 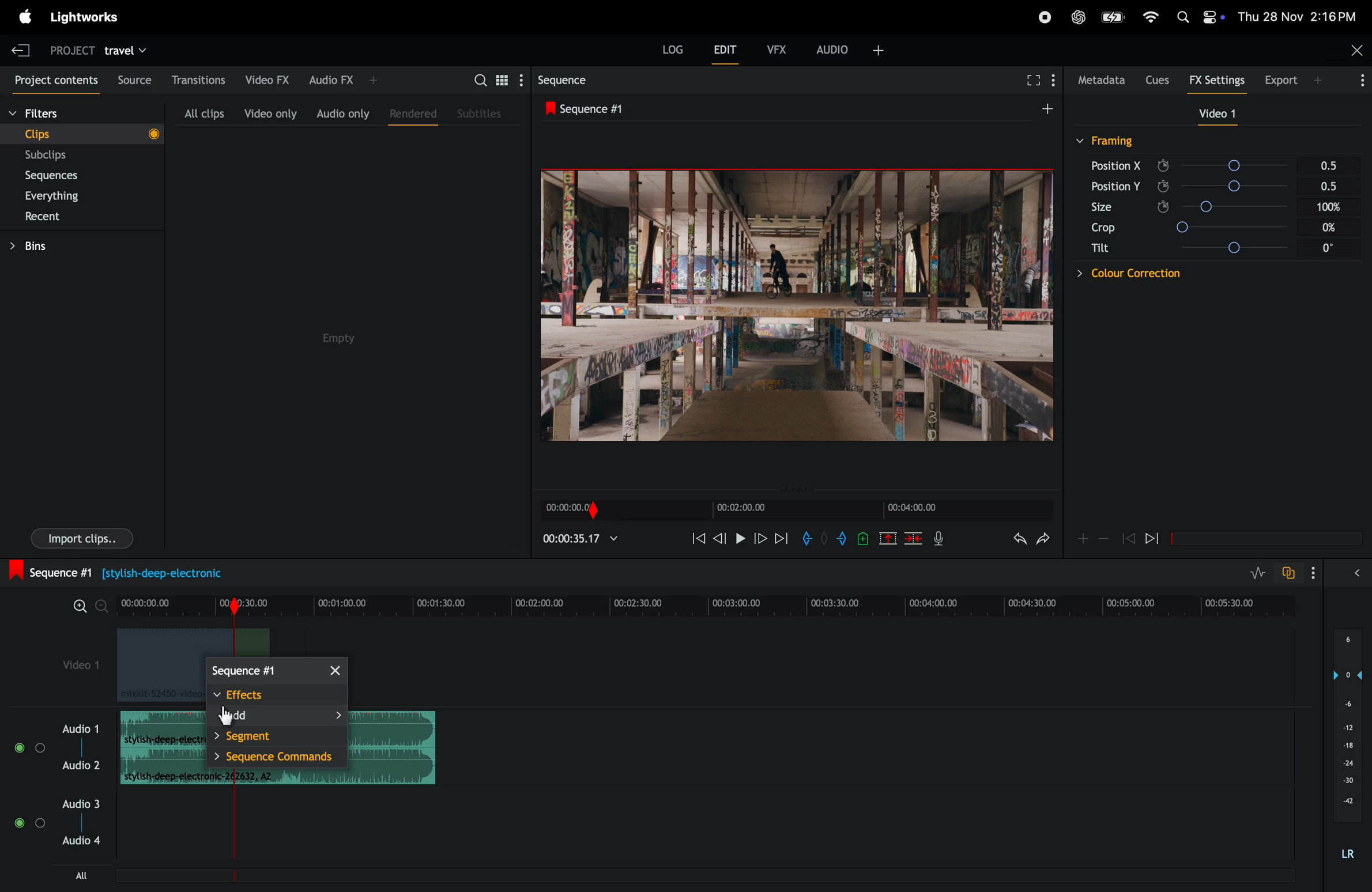 I want to click on position y, so click(x=1114, y=186).